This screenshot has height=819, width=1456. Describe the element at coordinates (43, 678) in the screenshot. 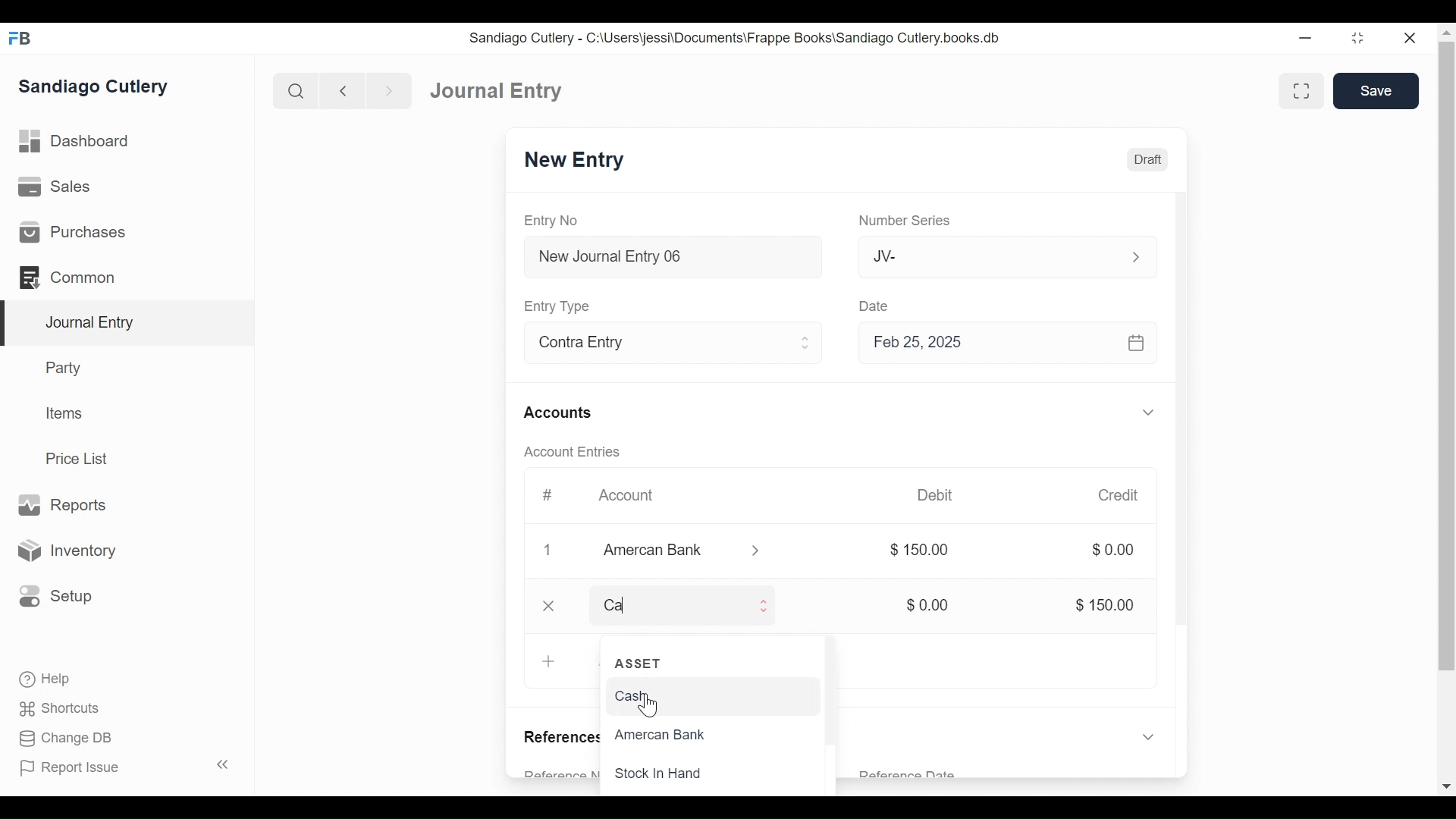

I see `Help` at that location.